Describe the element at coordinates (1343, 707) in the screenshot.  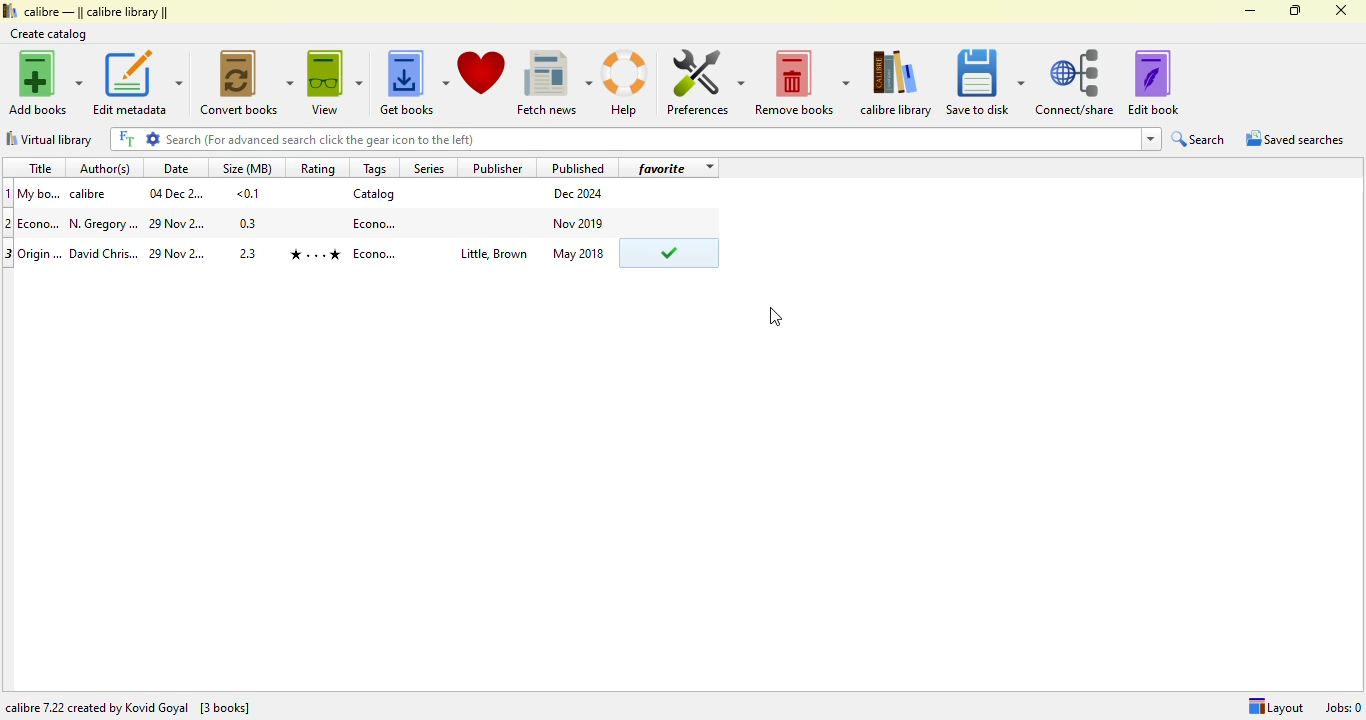
I see `jobs: 0` at that location.